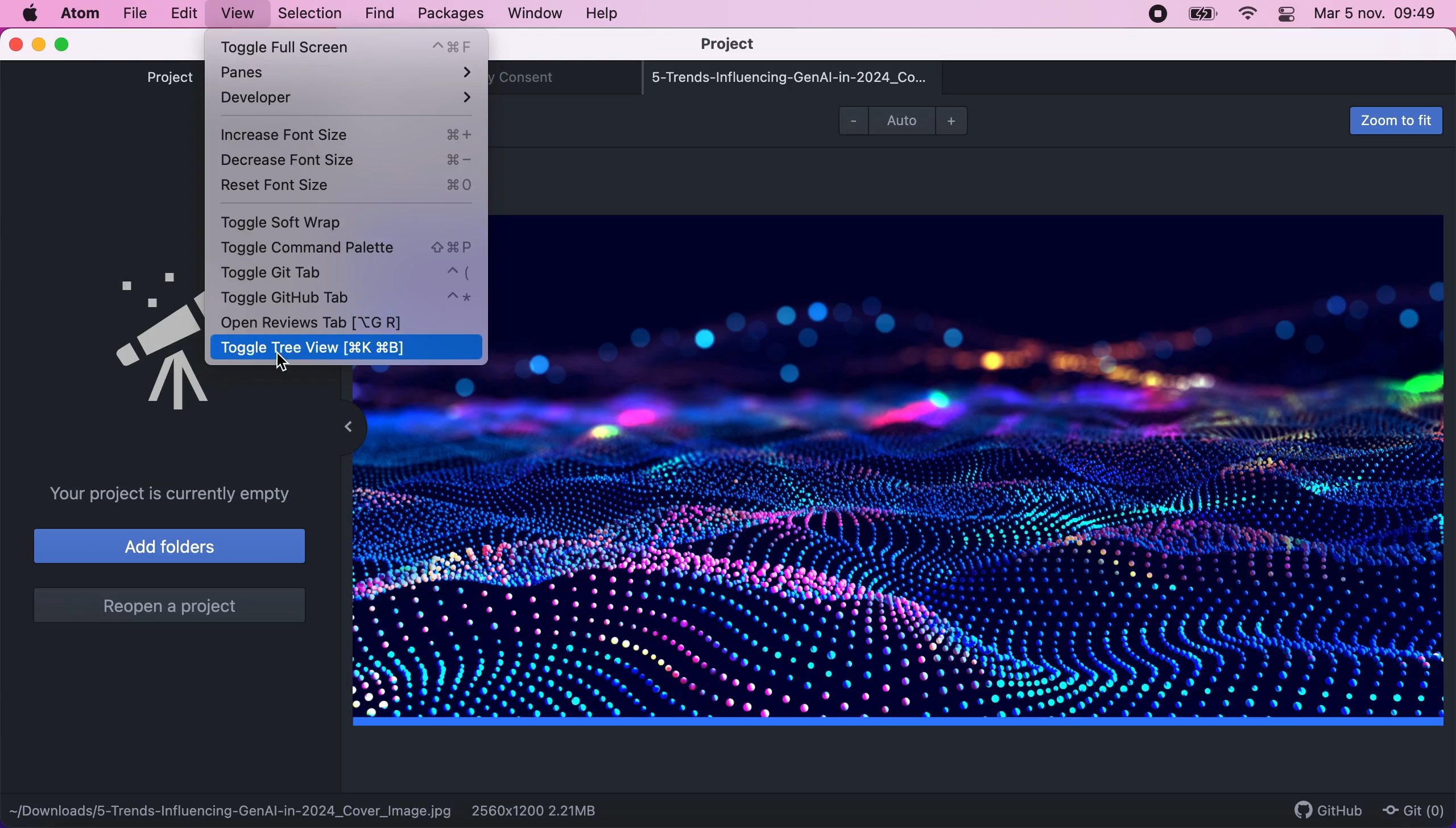 This screenshot has height=828, width=1456. Describe the element at coordinates (1159, 16) in the screenshot. I see `recording stopped` at that location.